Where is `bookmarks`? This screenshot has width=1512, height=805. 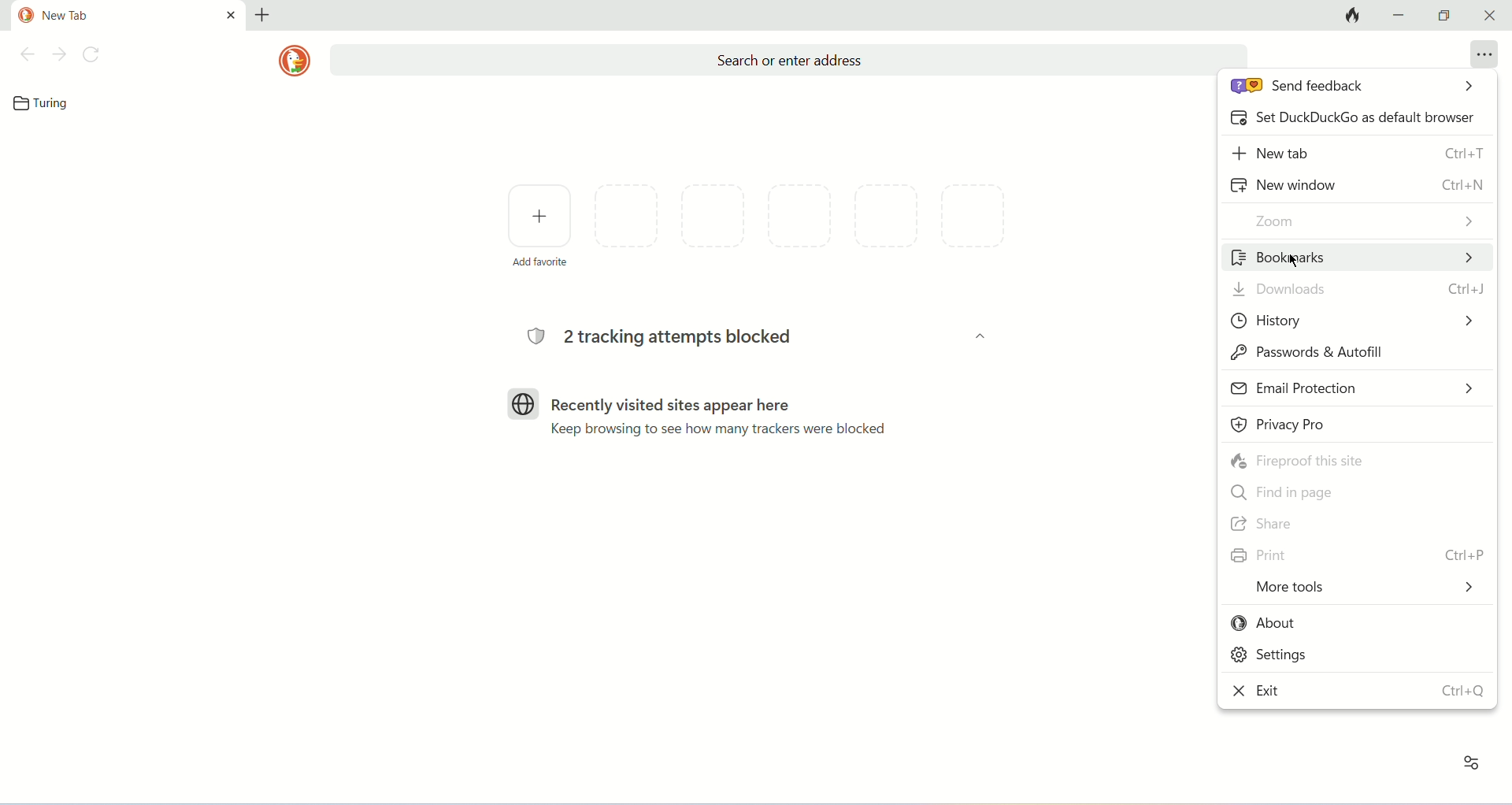 bookmarks is located at coordinates (1357, 255).